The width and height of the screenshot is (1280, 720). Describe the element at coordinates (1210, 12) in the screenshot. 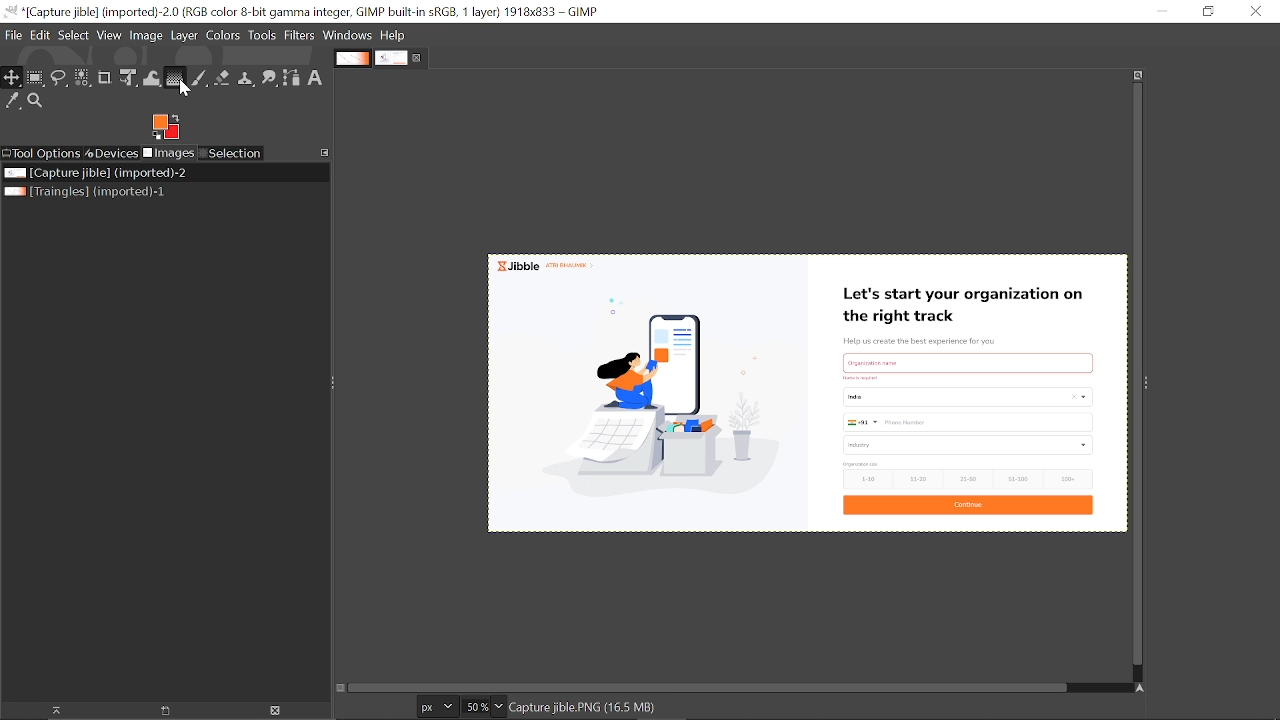

I see `Restore down` at that location.